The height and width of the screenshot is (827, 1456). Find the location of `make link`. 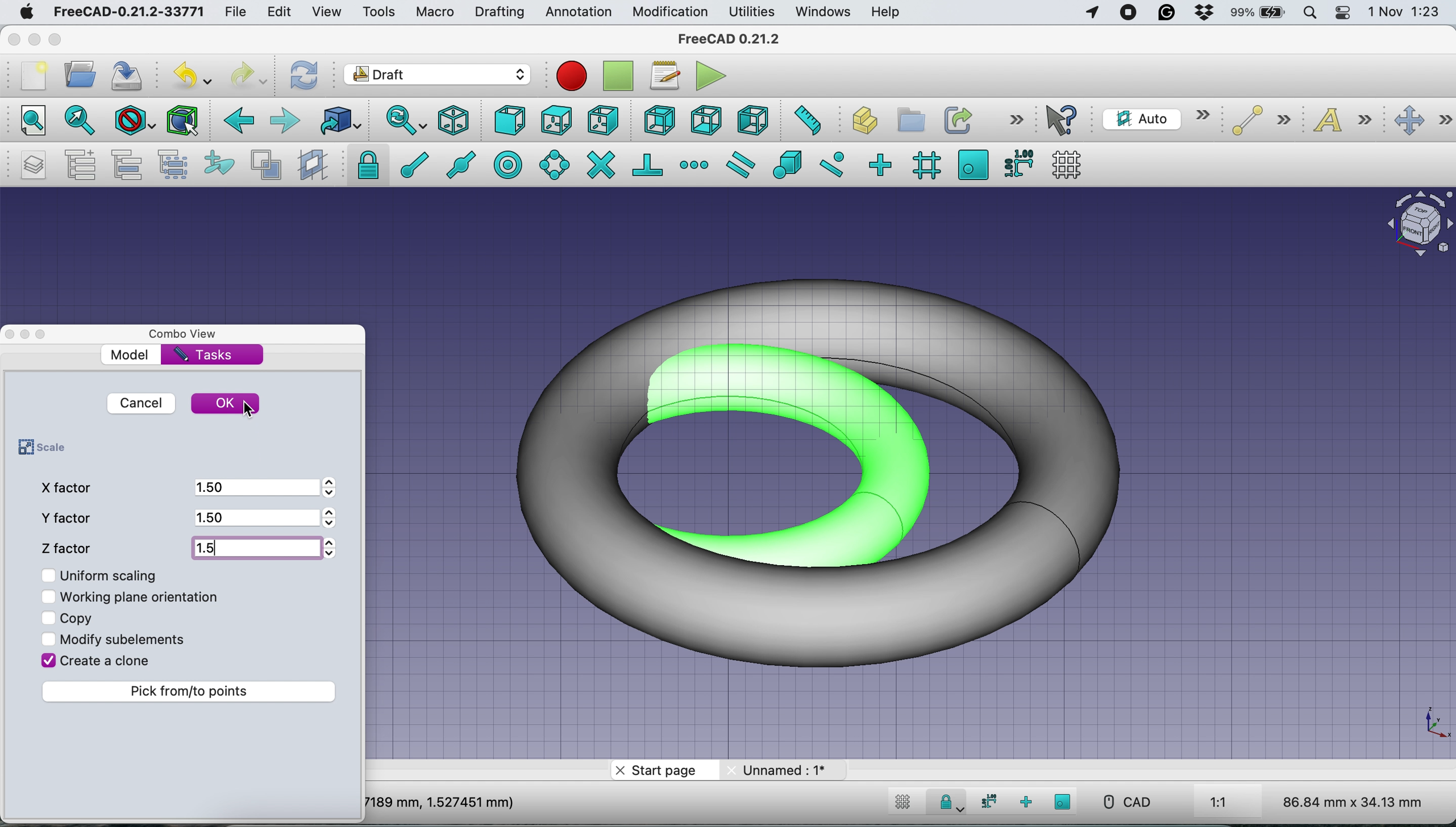

make link is located at coordinates (956, 119).